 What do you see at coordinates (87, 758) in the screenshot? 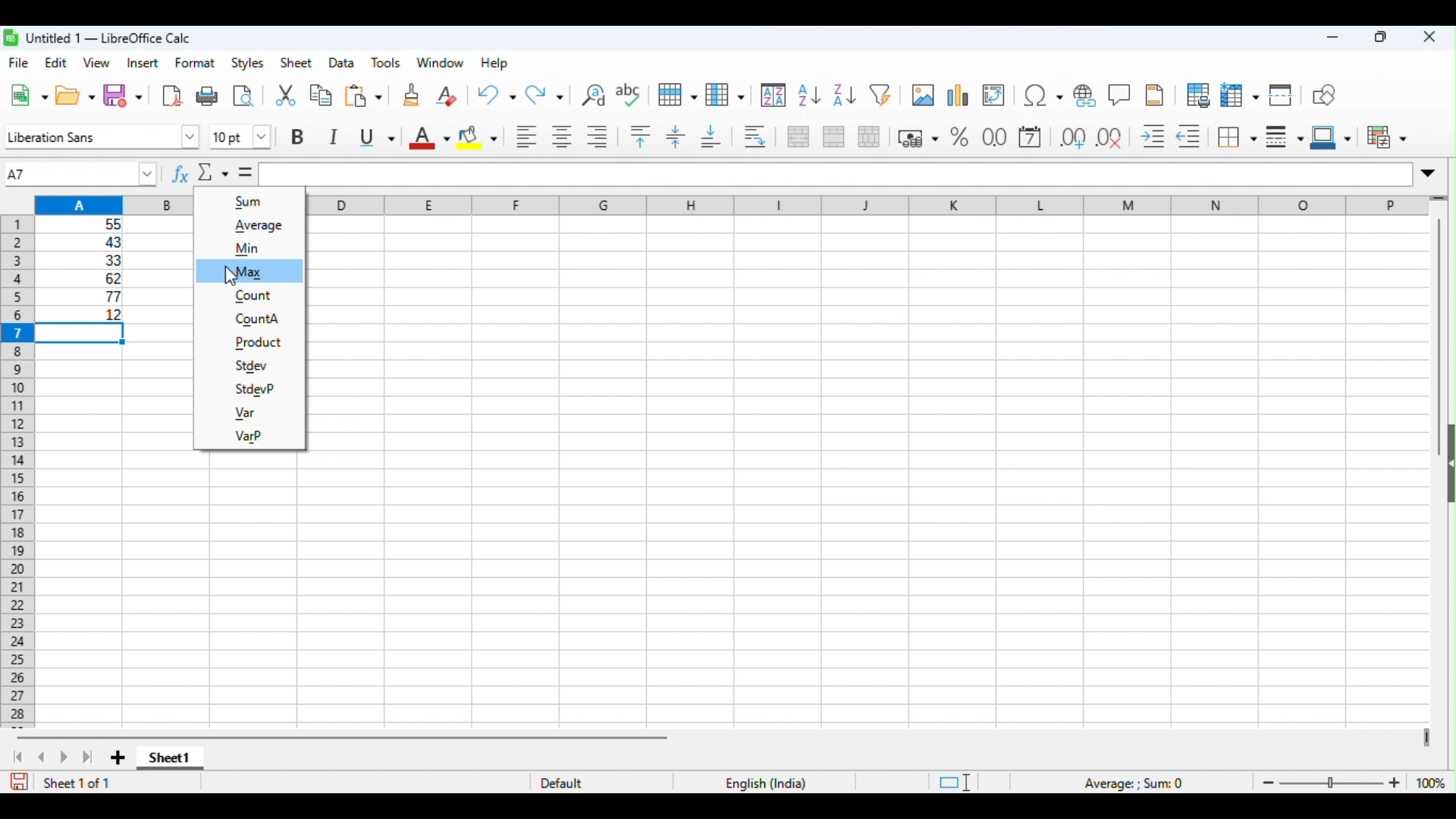
I see `last sheet` at bounding box center [87, 758].